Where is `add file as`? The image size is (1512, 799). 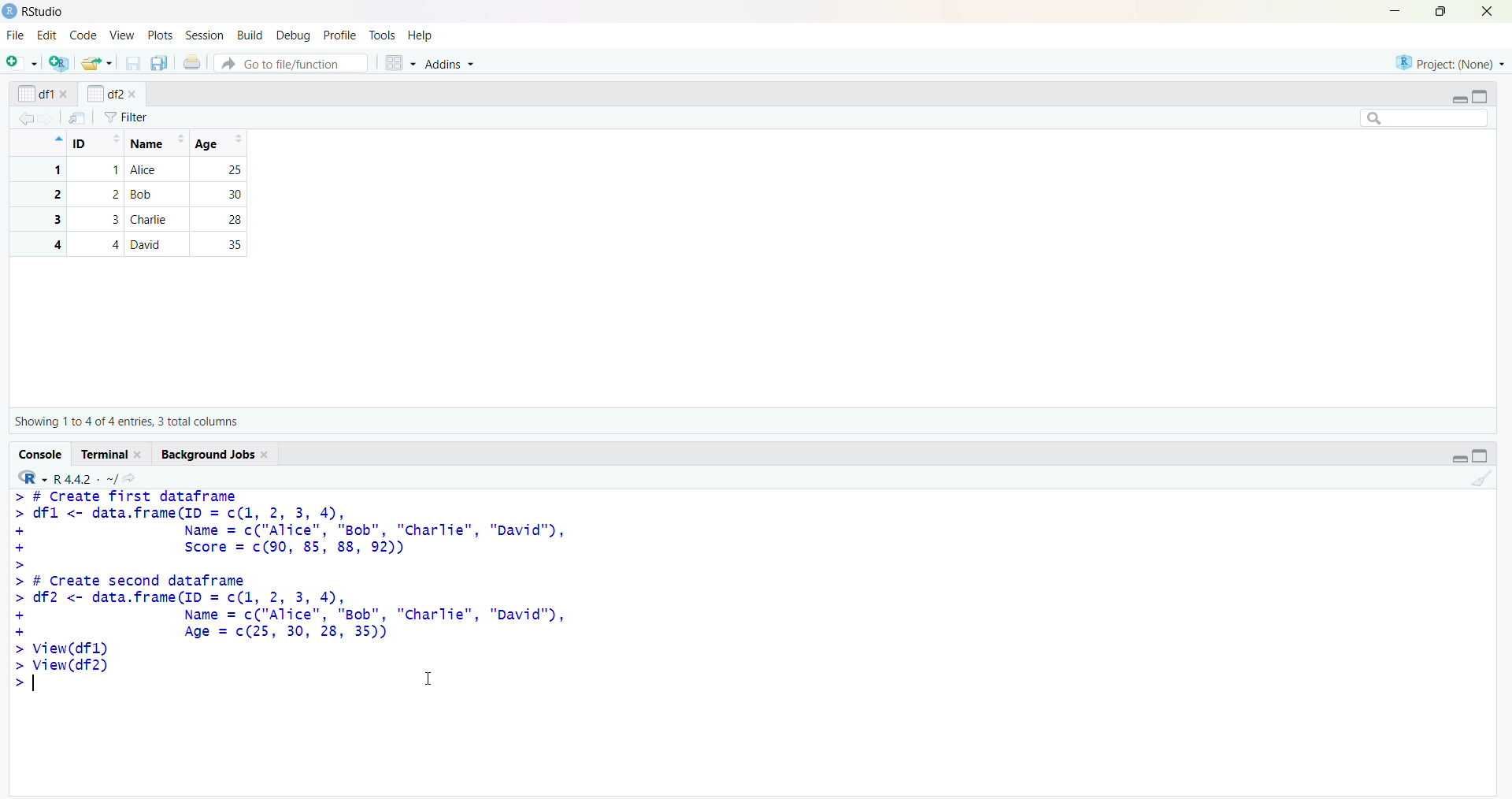
add file as is located at coordinates (25, 62).